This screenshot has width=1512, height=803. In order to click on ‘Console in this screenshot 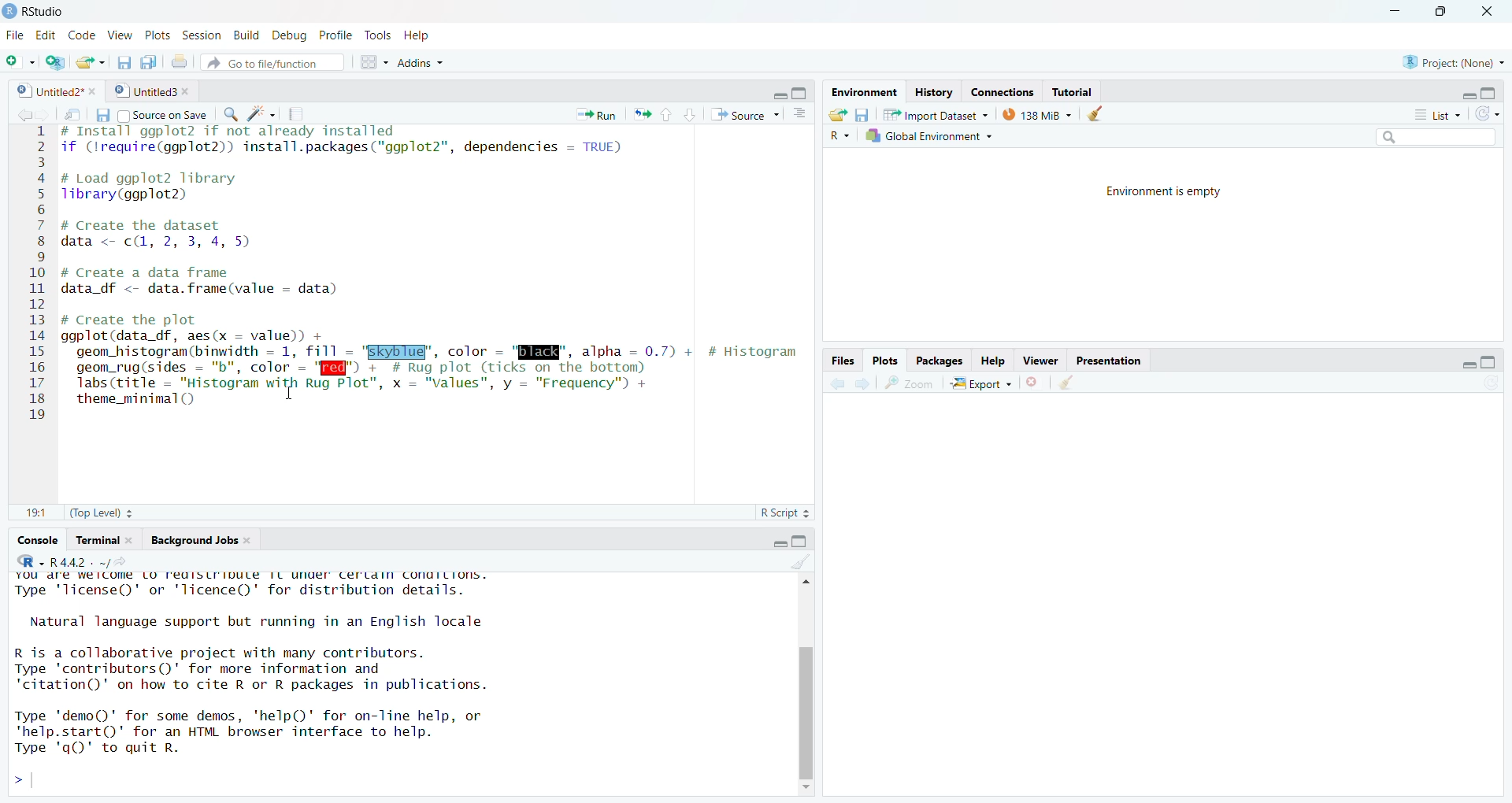, I will do `click(32, 542)`.